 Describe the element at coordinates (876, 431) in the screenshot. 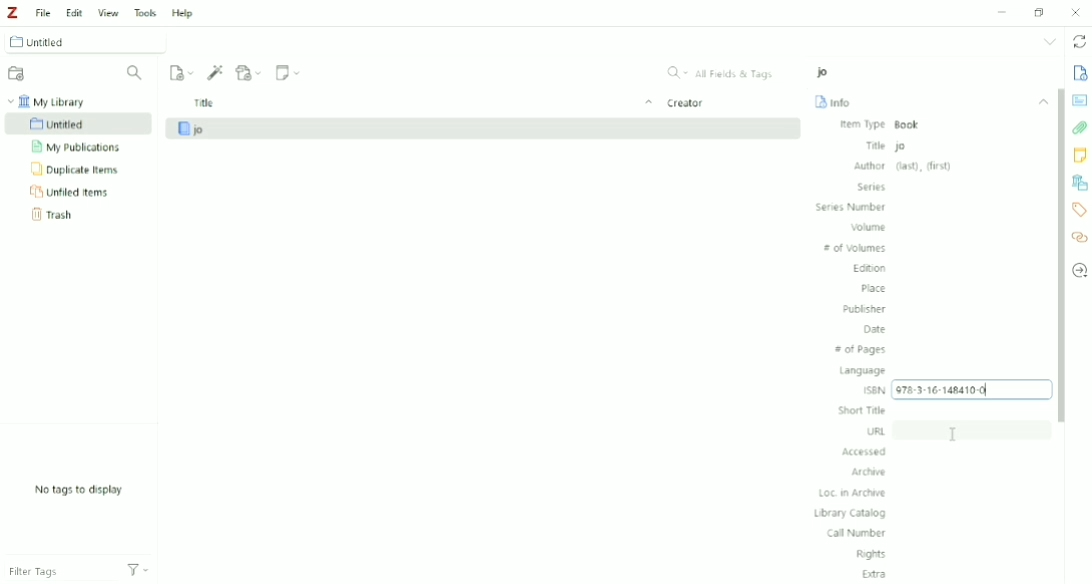

I see `URL` at that location.